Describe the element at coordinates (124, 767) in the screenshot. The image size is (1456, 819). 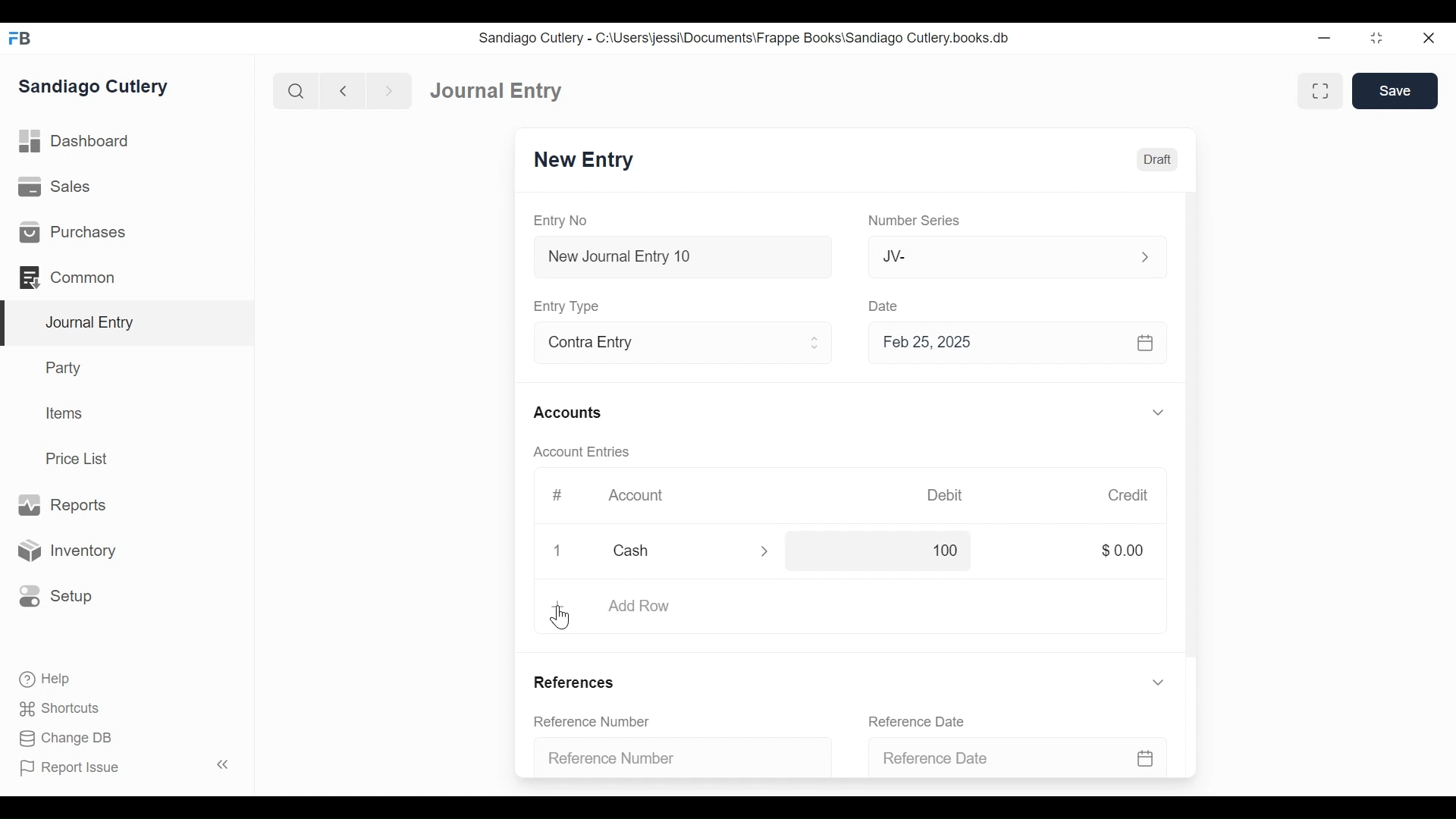
I see `Report Issue` at that location.